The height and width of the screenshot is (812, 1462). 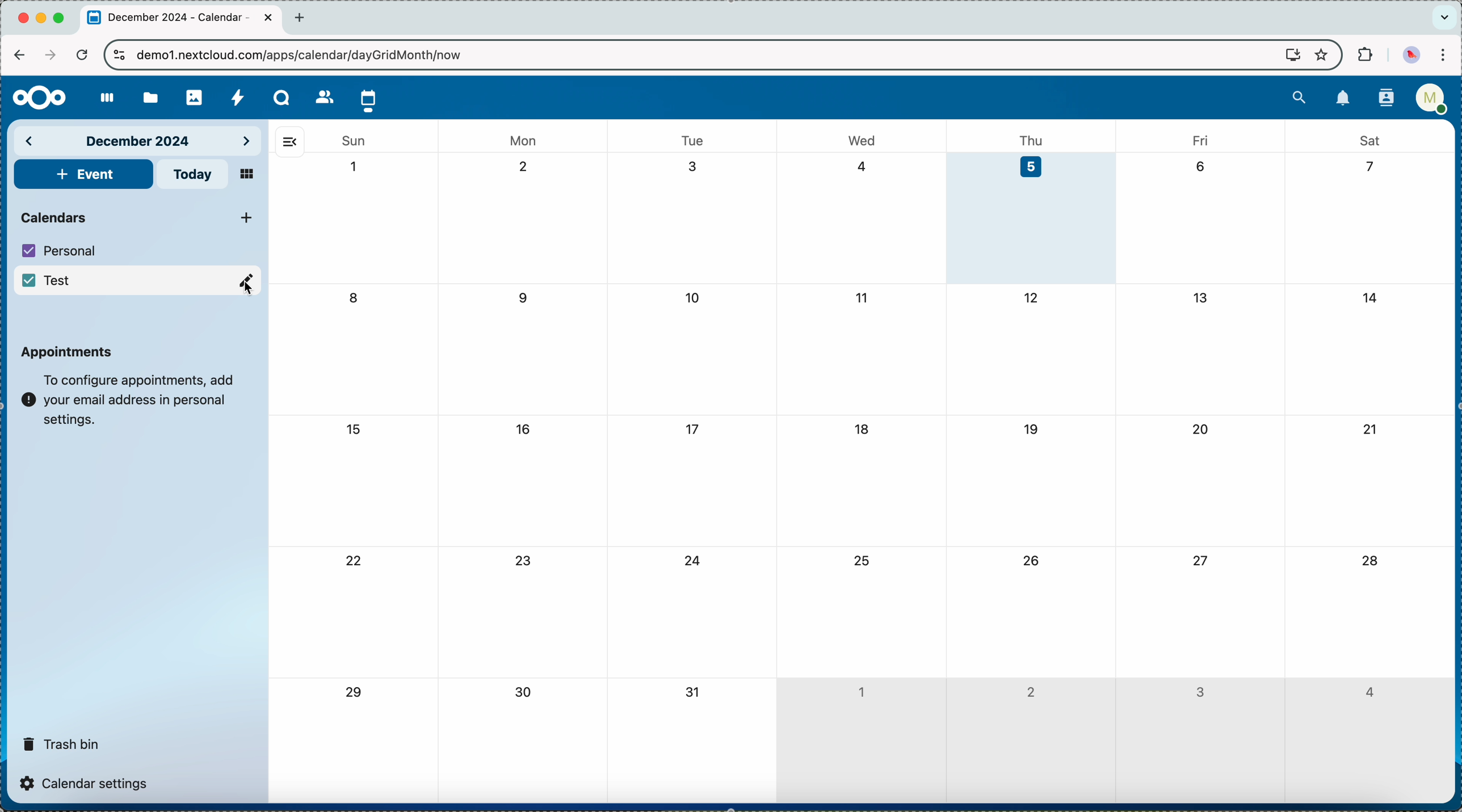 I want to click on tue, so click(x=692, y=140).